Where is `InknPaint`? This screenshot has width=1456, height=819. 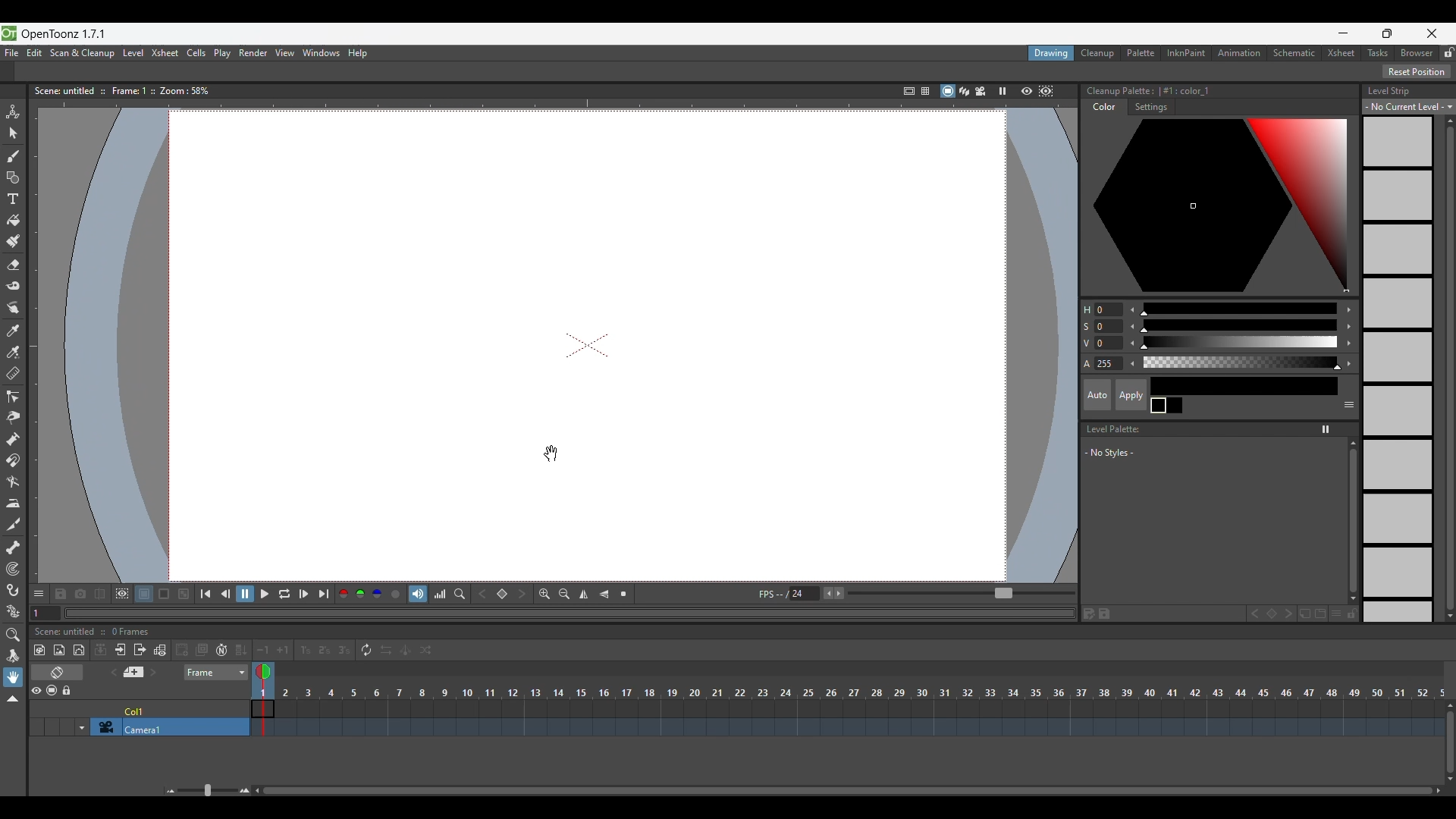 InknPaint is located at coordinates (1185, 53).